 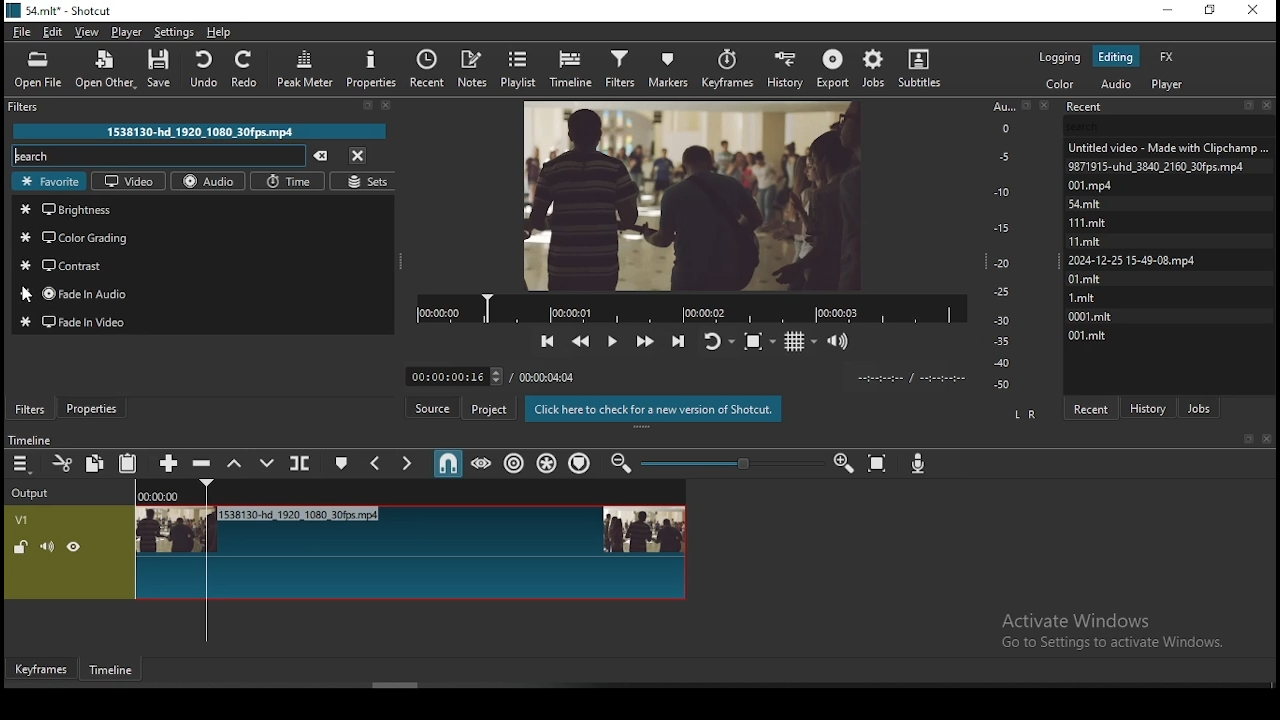 I want to click on time, so click(x=287, y=182).